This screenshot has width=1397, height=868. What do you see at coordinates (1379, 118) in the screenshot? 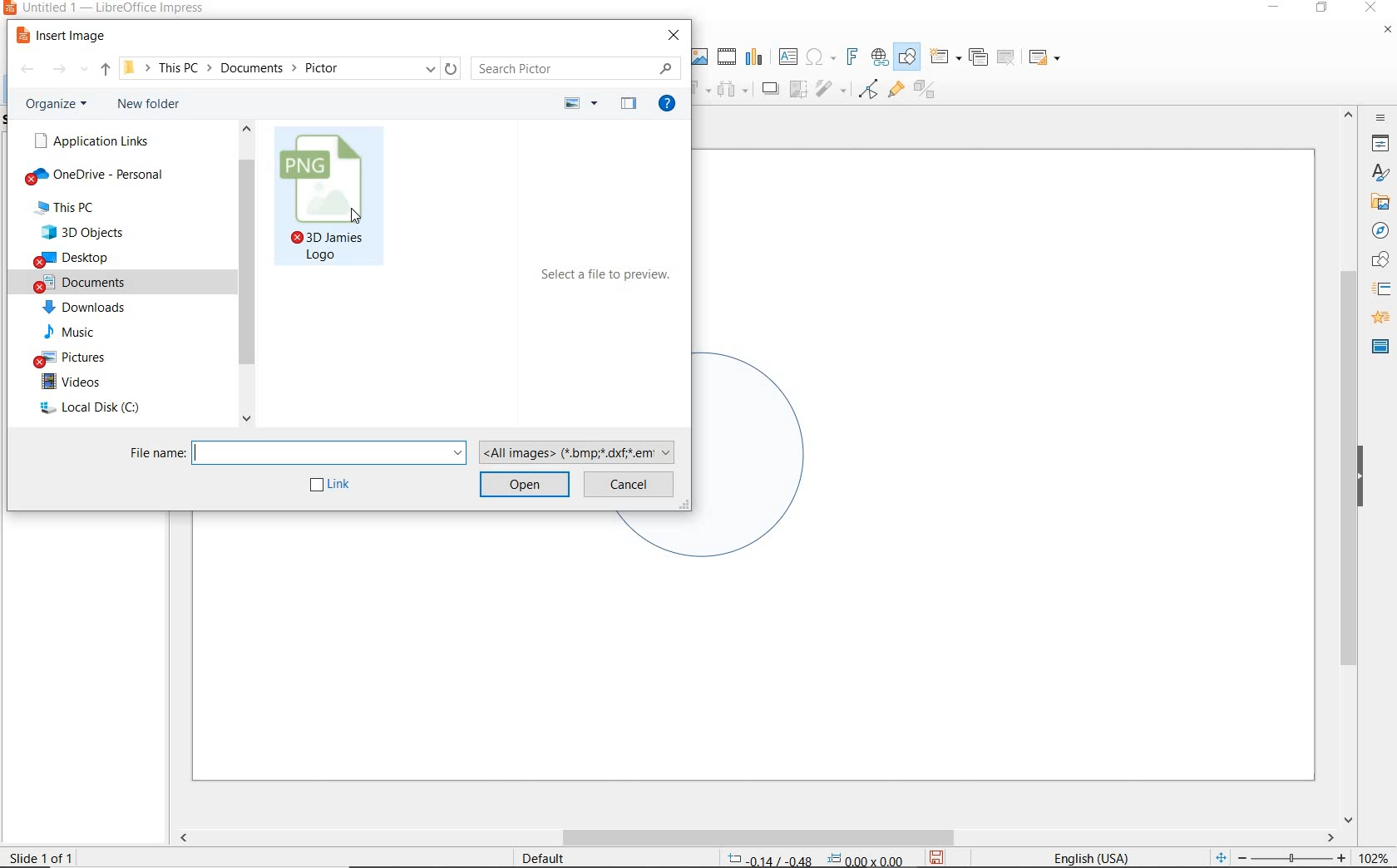
I see `sidebar settings` at bounding box center [1379, 118].